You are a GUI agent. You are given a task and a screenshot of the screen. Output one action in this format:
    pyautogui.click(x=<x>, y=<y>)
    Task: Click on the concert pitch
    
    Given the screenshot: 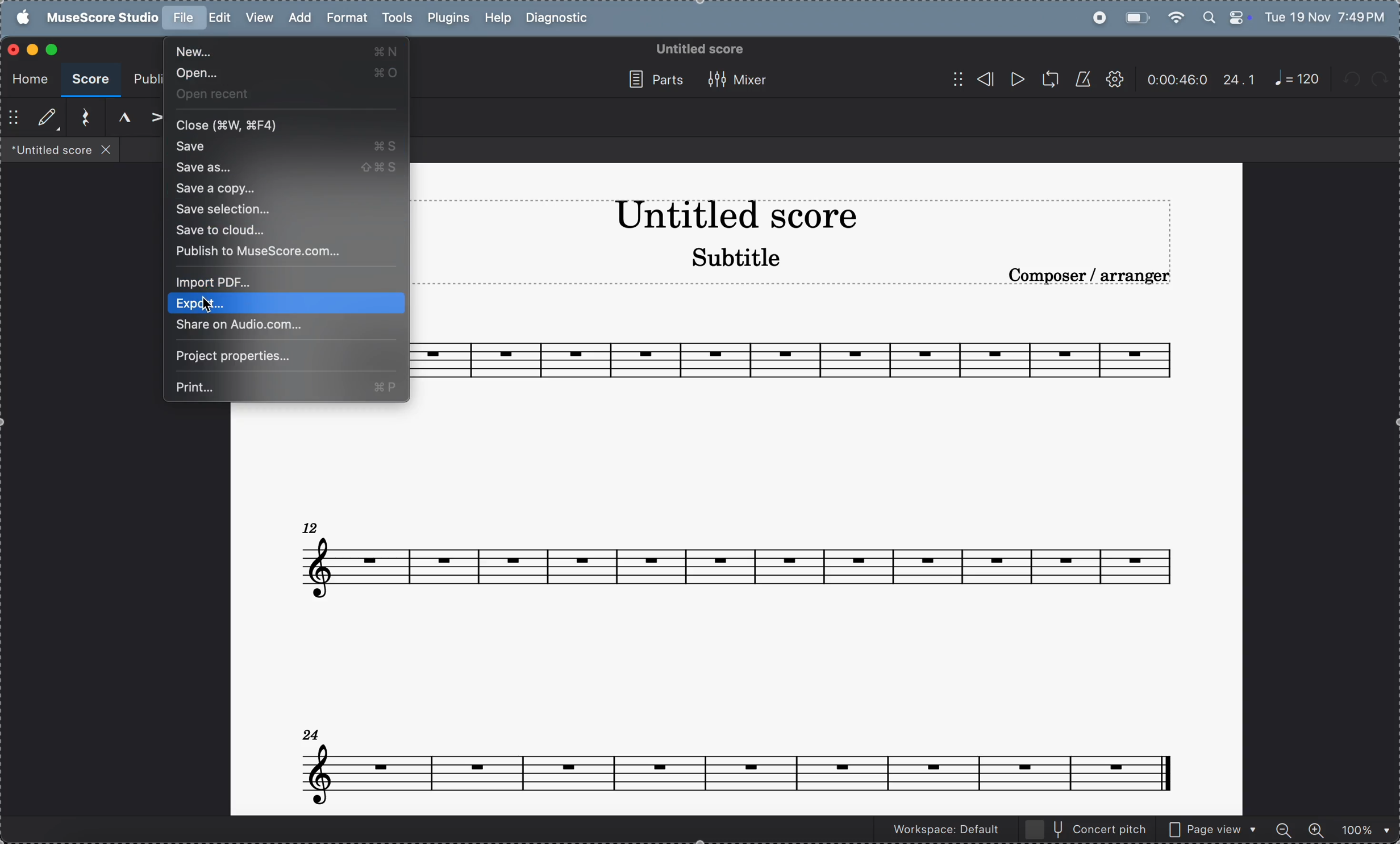 What is the action you would take?
    pyautogui.click(x=1087, y=829)
    